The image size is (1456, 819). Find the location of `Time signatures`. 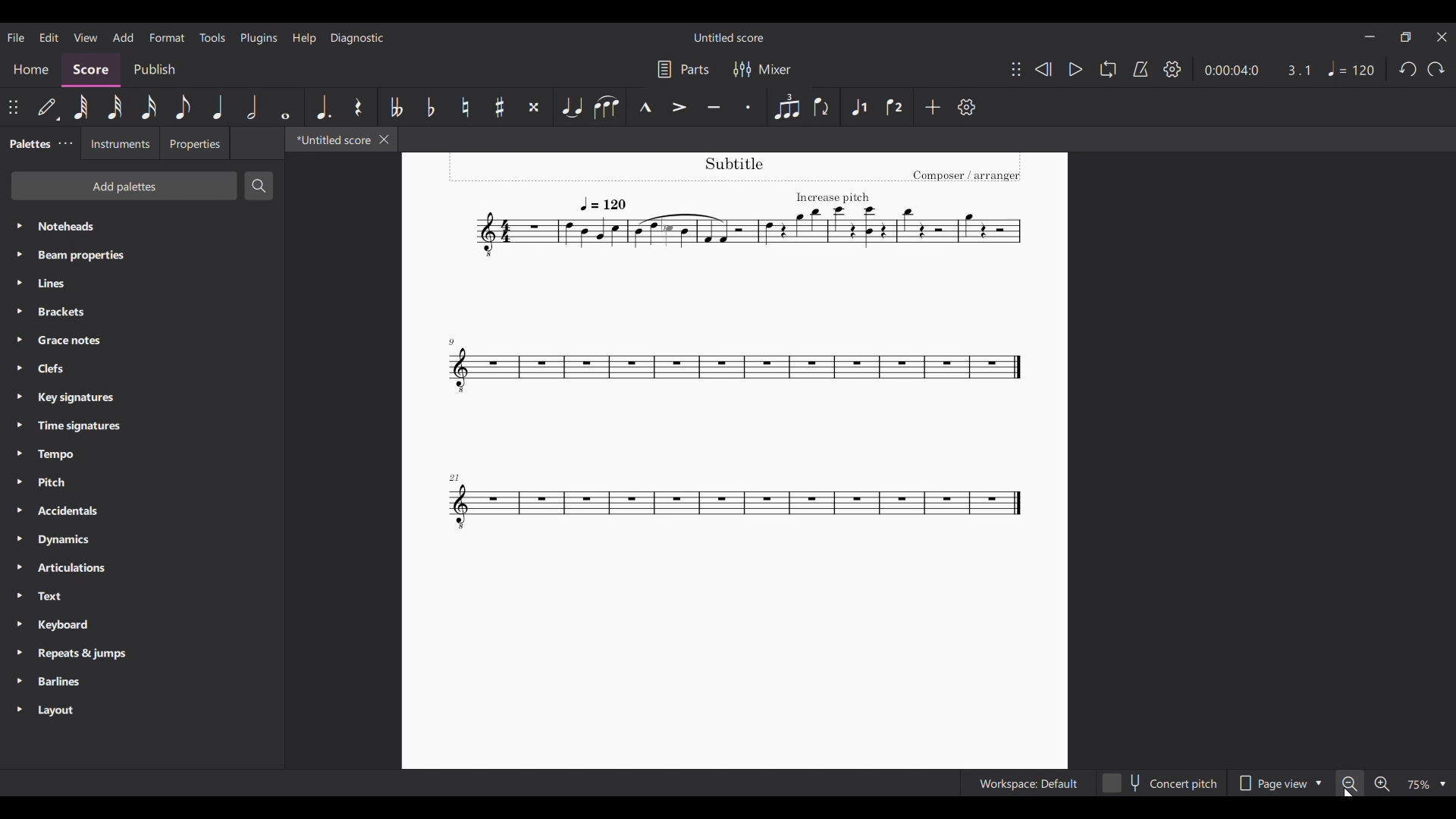

Time signatures is located at coordinates (142, 425).